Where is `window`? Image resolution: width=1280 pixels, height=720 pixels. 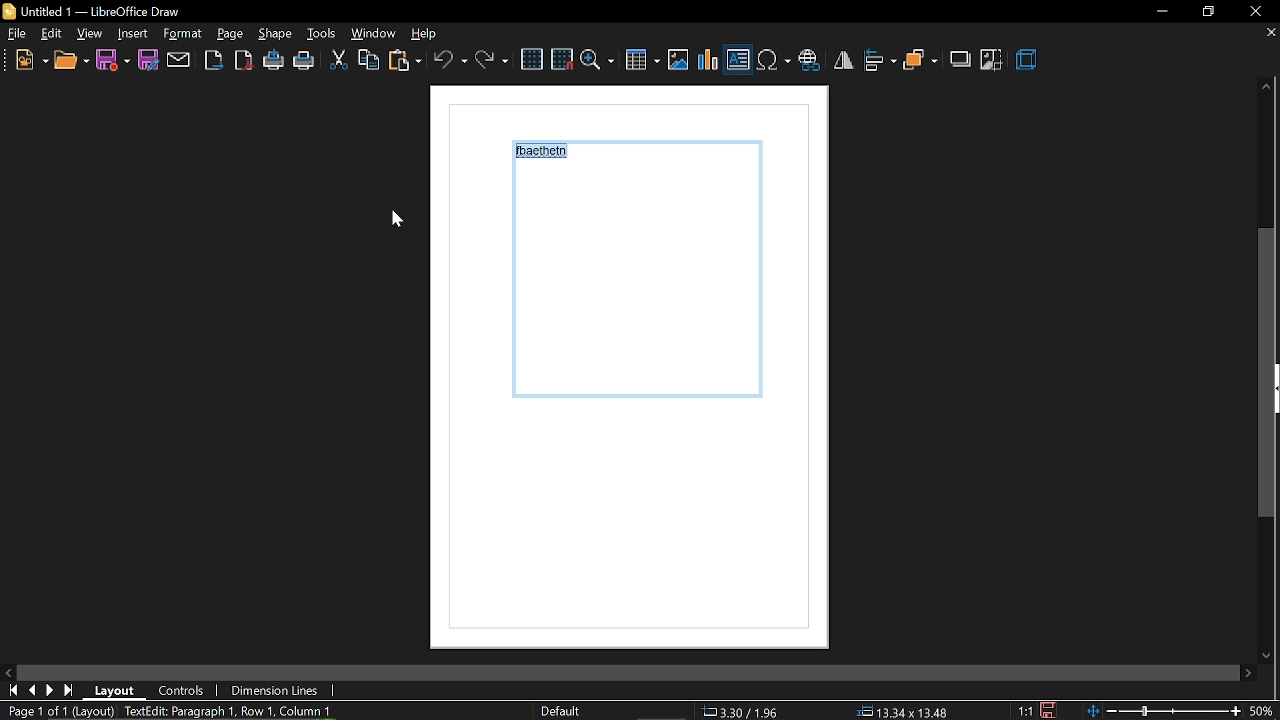 window is located at coordinates (375, 33).